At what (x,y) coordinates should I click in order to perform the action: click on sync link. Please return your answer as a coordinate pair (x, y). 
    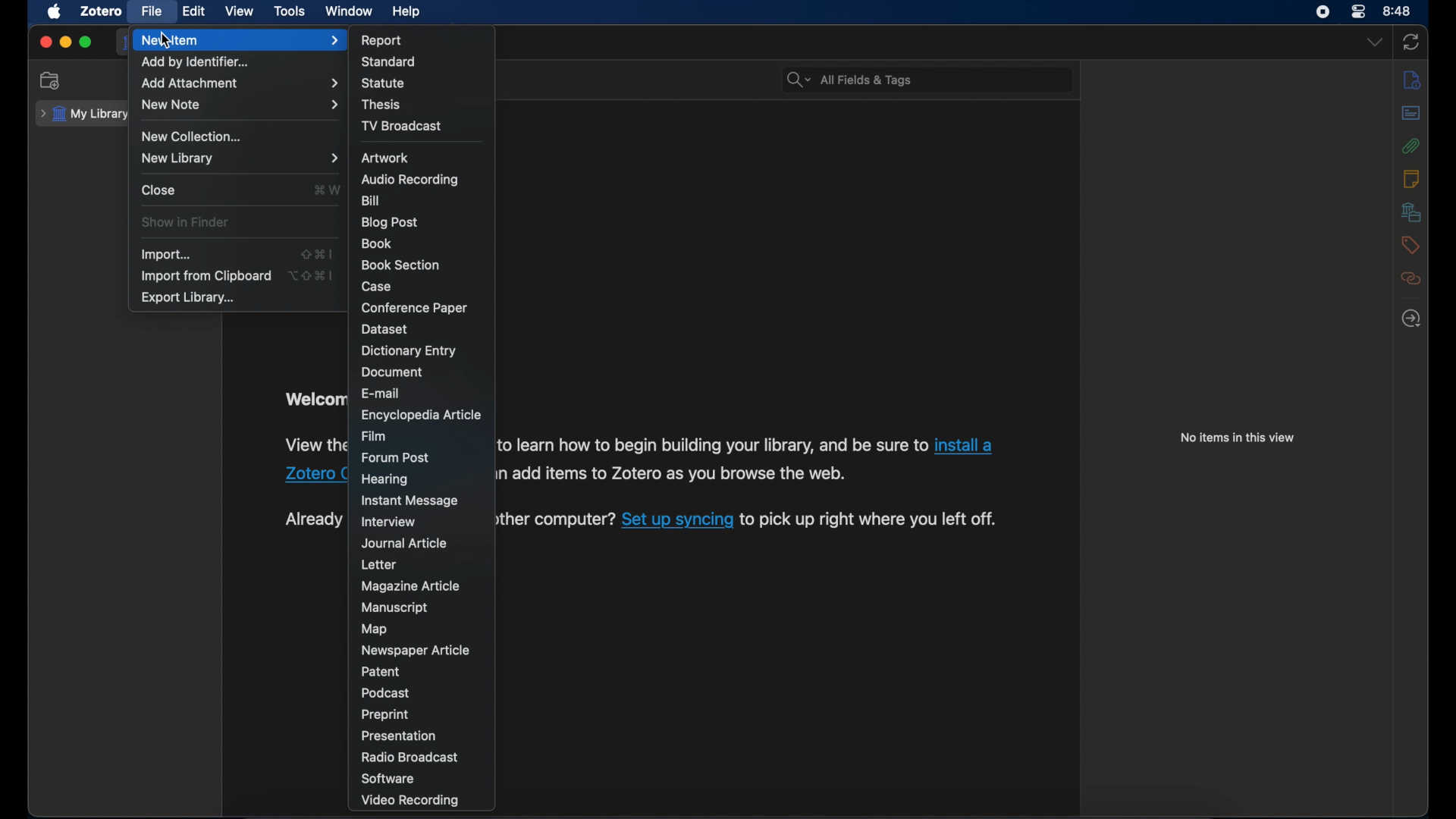
    Looking at the image, I should click on (677, 521).